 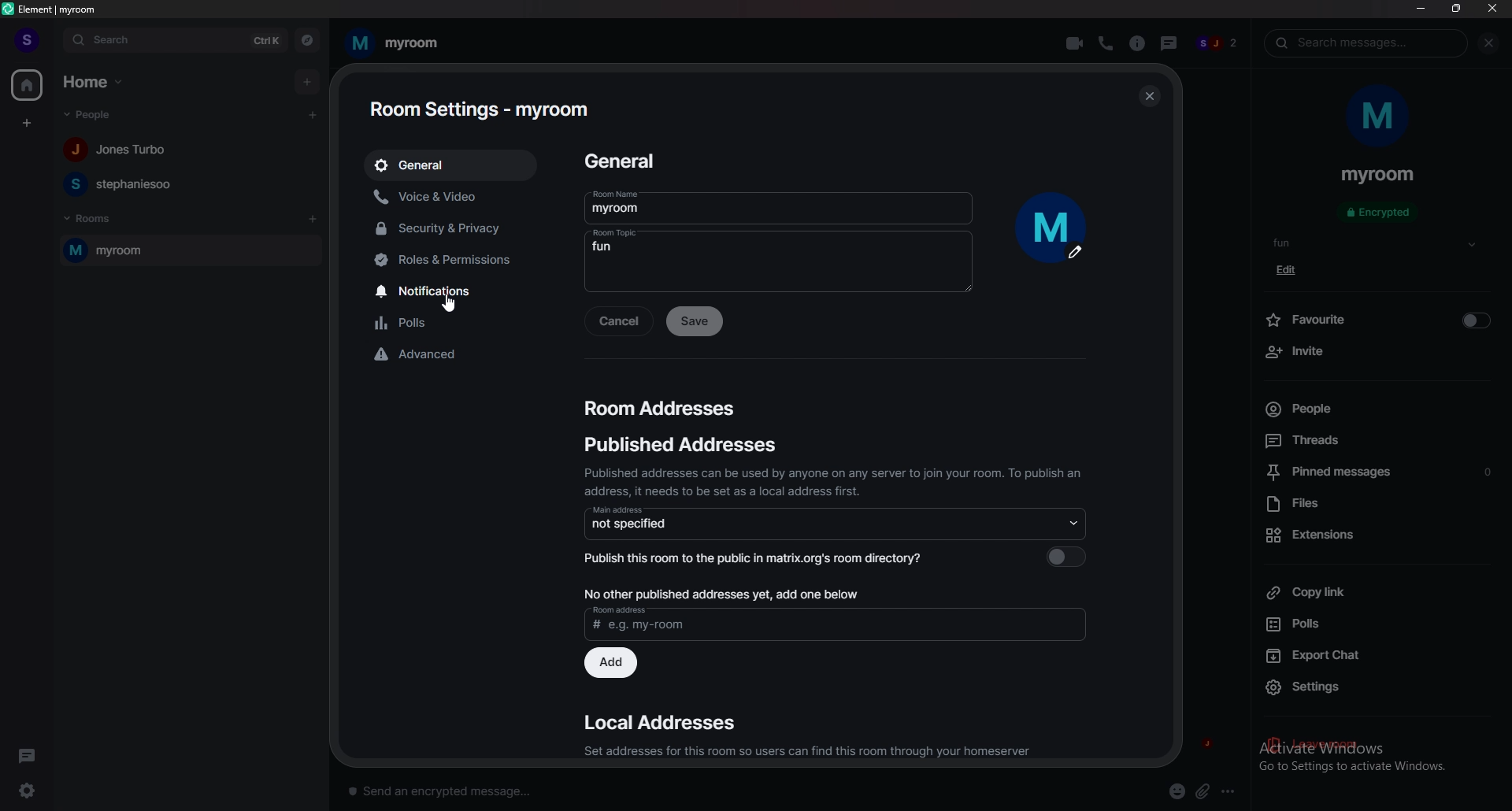 I want to click on people, so click(x=1217, y=45).